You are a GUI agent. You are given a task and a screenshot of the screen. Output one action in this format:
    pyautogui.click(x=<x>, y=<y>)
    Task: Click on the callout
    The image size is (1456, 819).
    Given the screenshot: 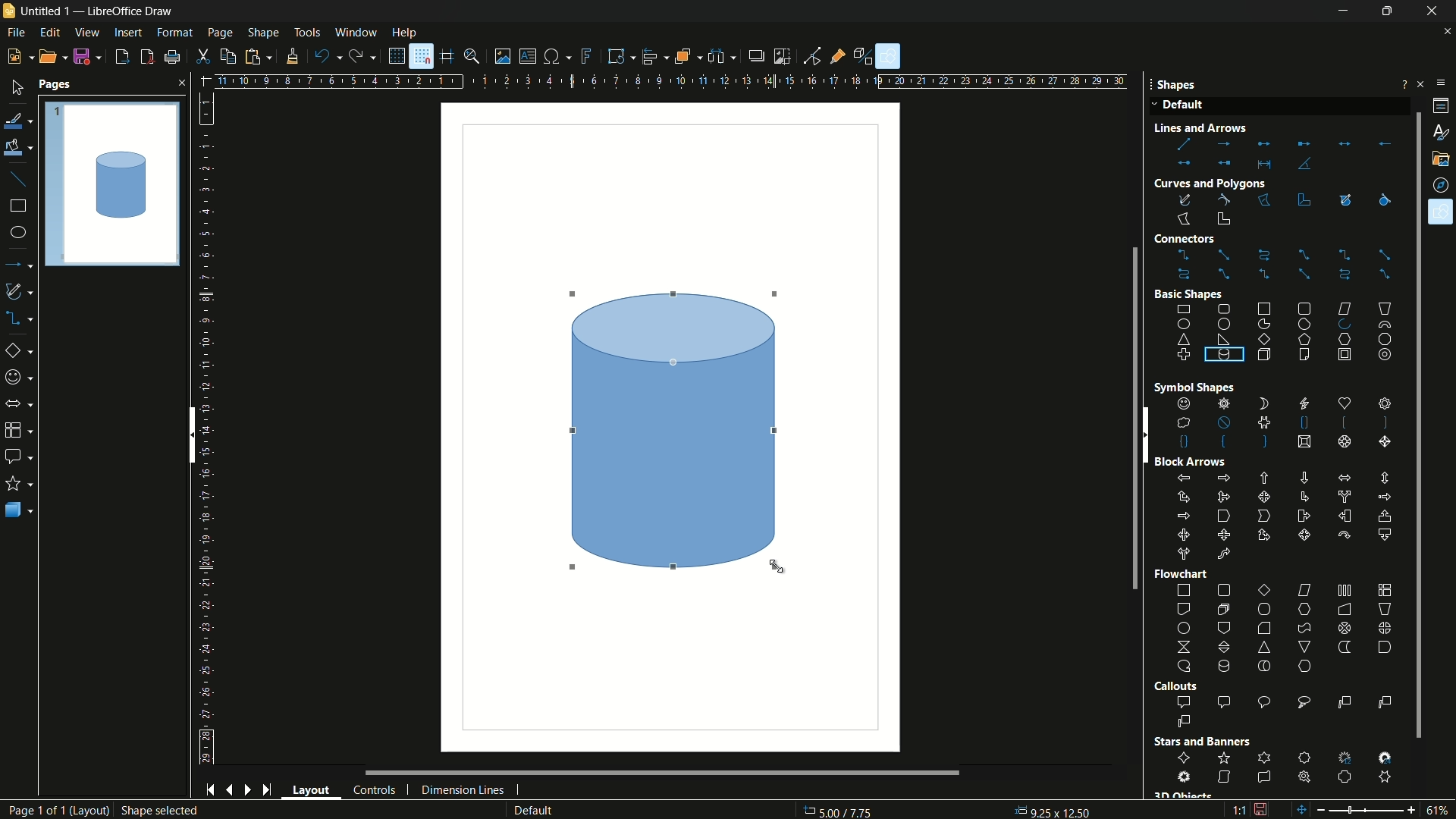 What is the action you would take?
    pyautogui.click(x=1286, y=713)
    